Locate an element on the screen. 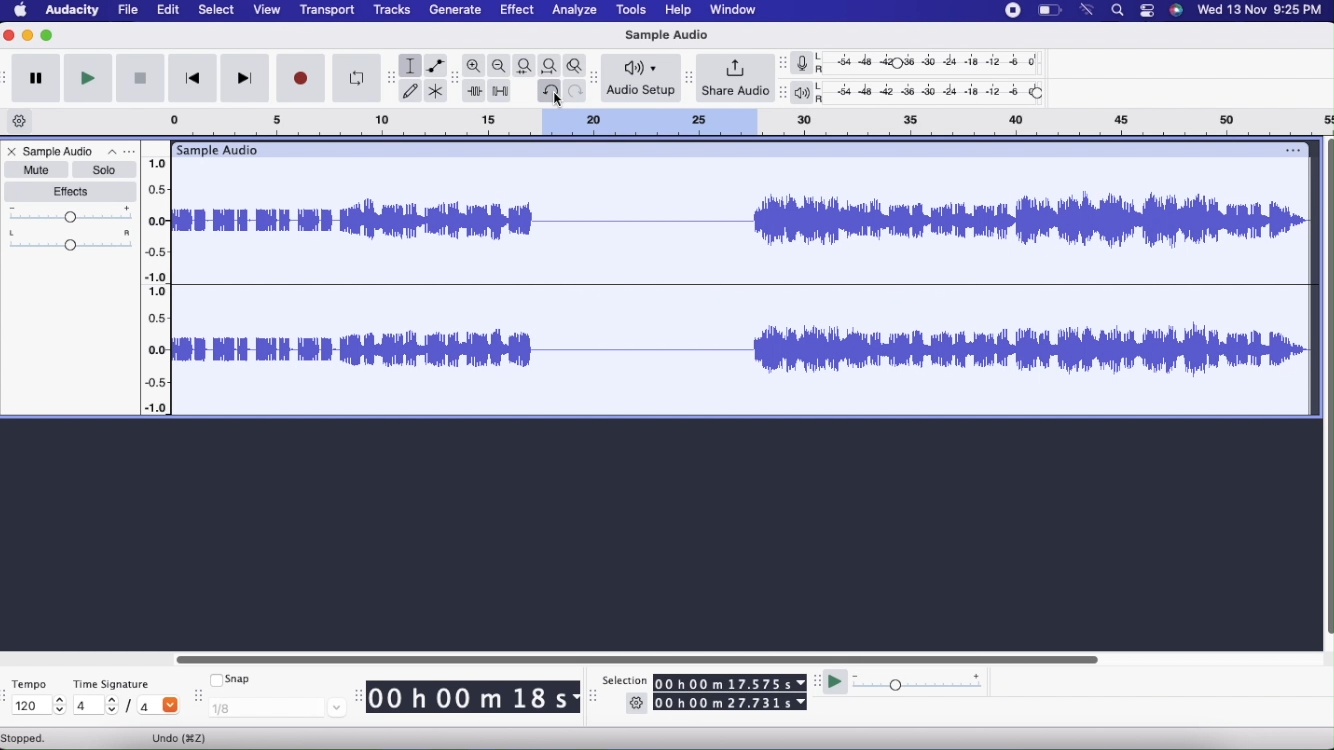 This screenshot has width=1334, height=750. Transport is located at coordinates (328, 10).